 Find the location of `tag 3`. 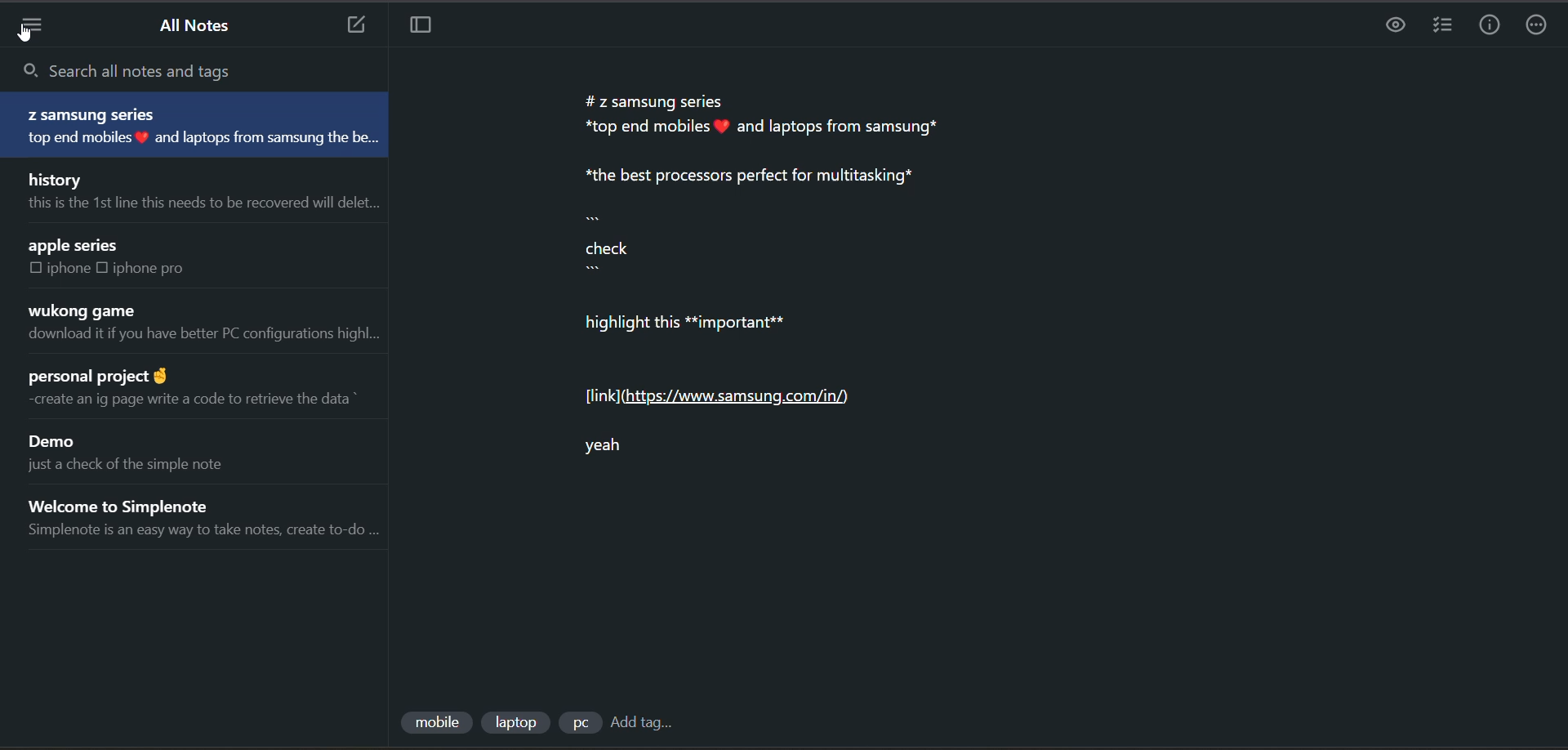

tag 3 is located at coordinates (579, 724).